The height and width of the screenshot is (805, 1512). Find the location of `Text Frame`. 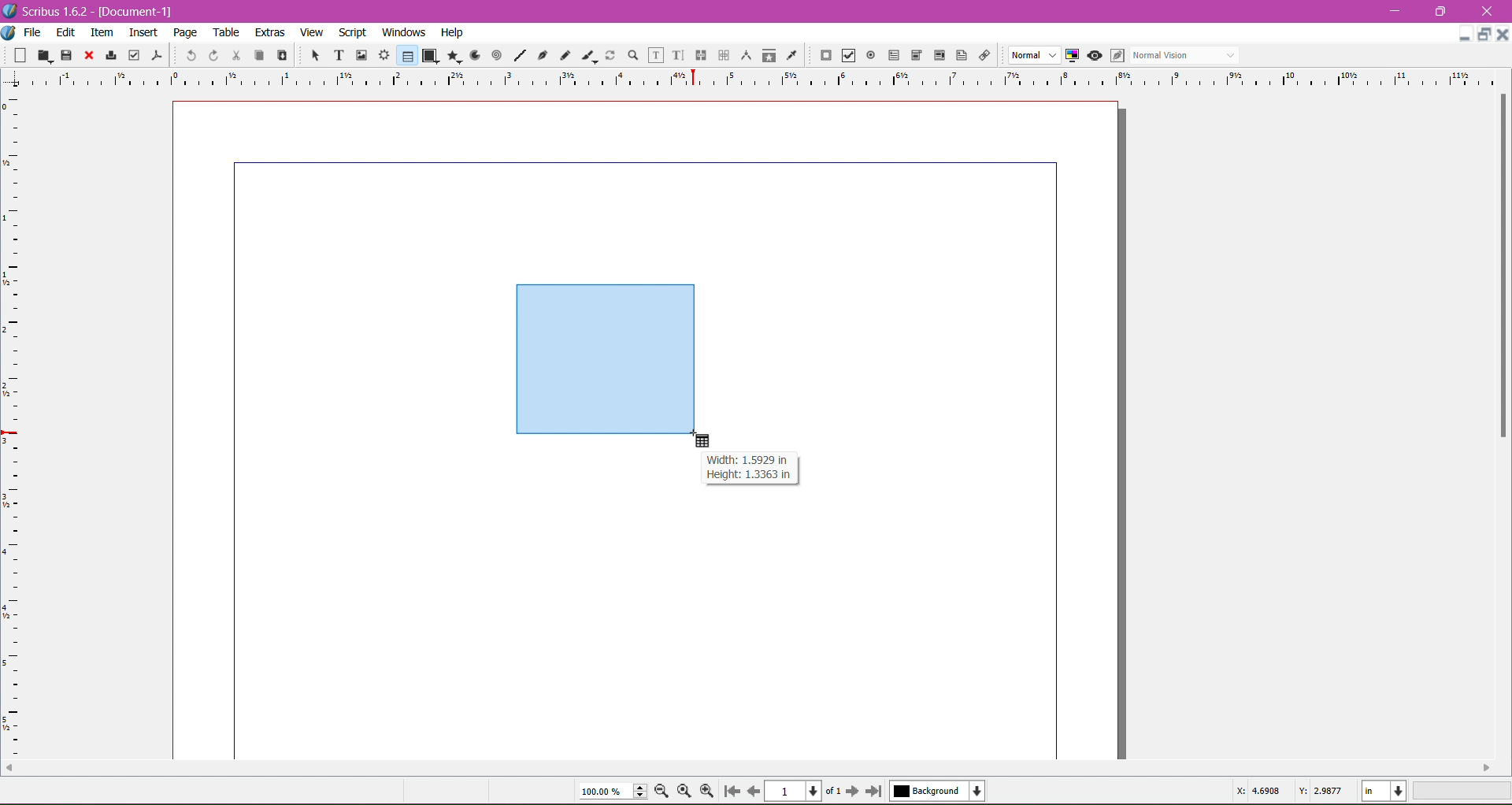

Text Frame is located at coordinates (335, 55).